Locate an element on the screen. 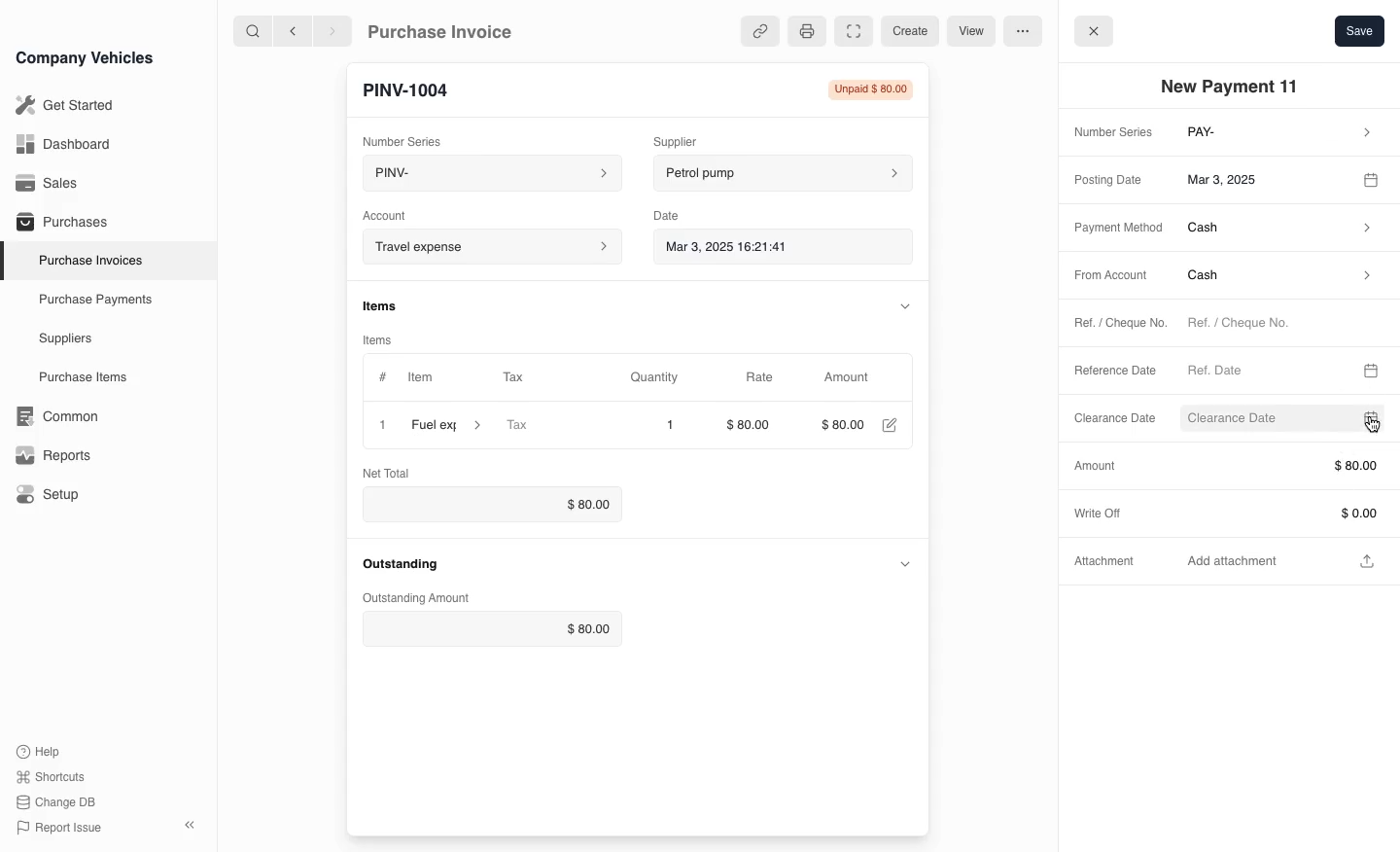 Image resolution: width=1400 pixels, height=852 pixels. mar 3, 2025 is located at coordinates (1262, 178).